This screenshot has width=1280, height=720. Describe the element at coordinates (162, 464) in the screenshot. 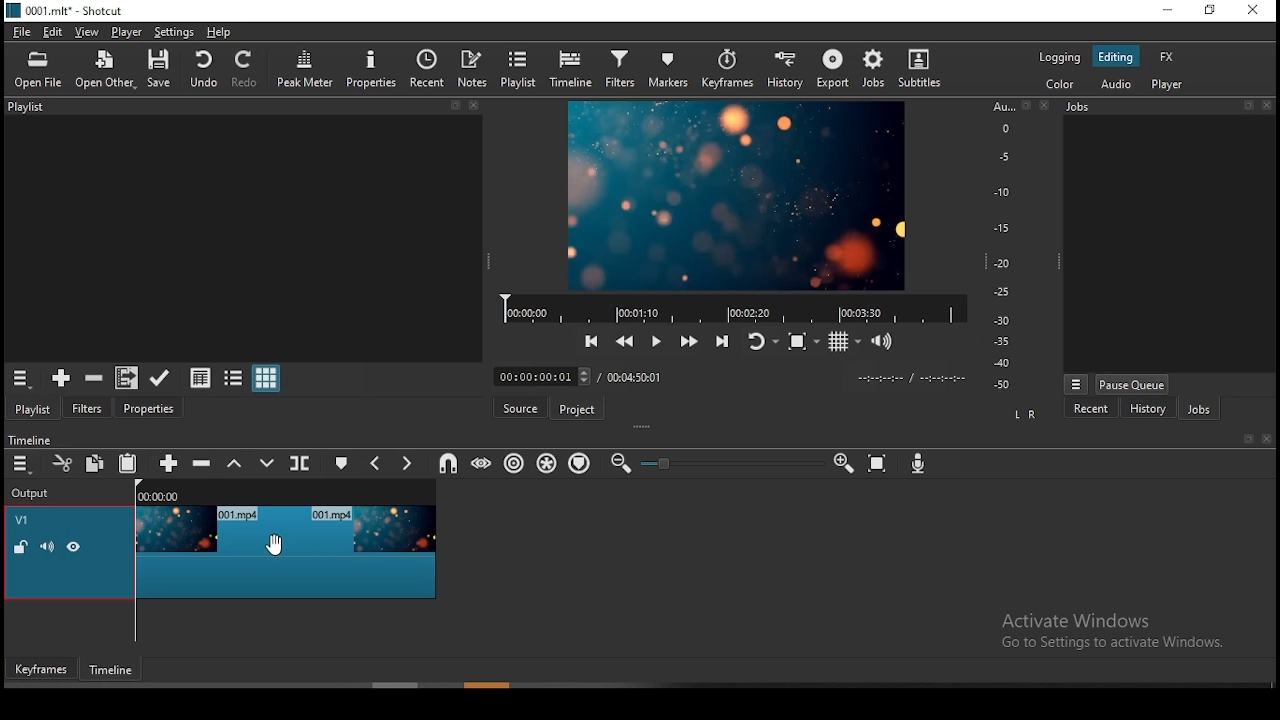

I see `append` at that location.